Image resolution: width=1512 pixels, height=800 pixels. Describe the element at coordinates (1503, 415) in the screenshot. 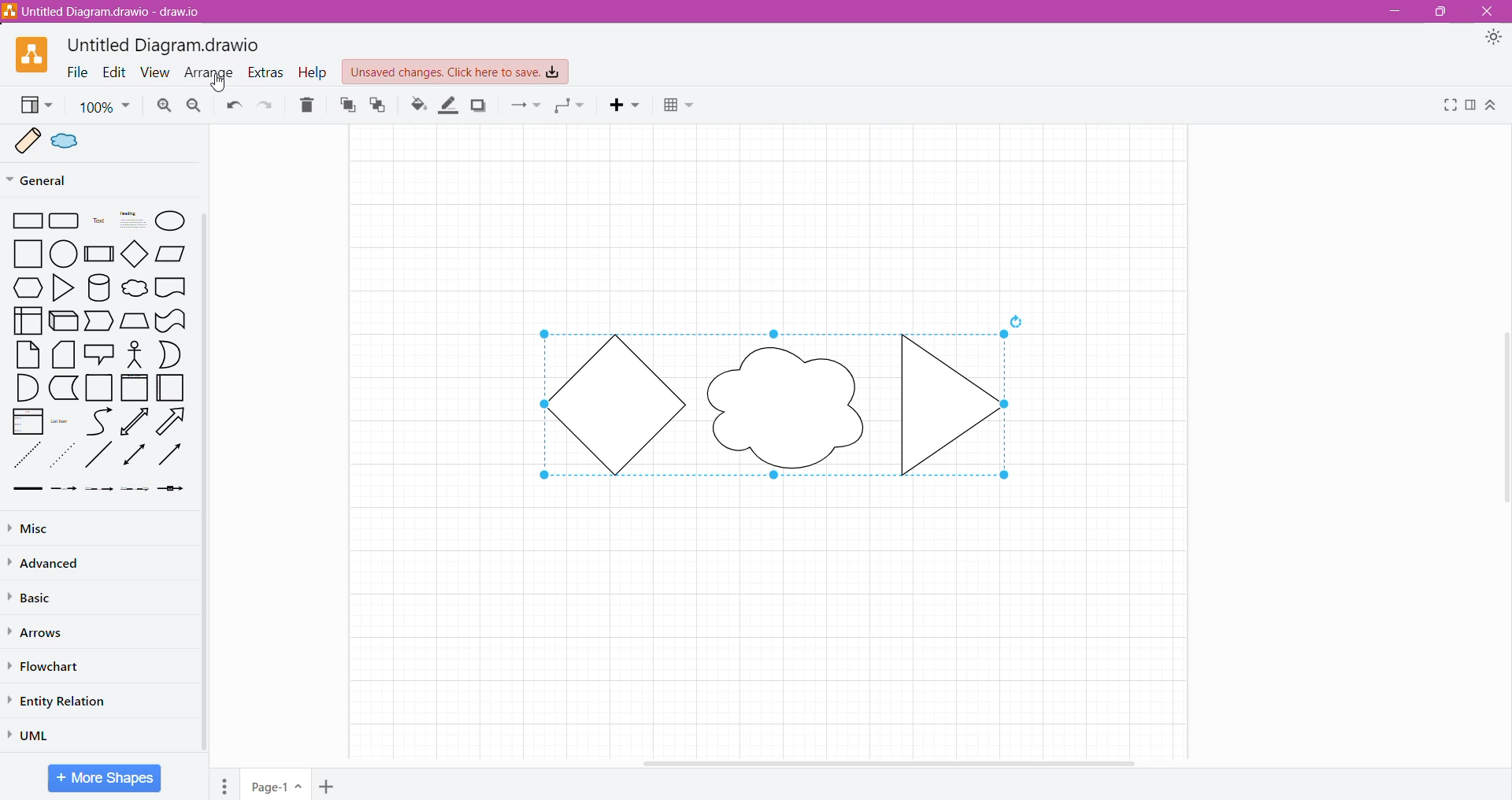

I see `Vertical Scroll Bar` at that location.